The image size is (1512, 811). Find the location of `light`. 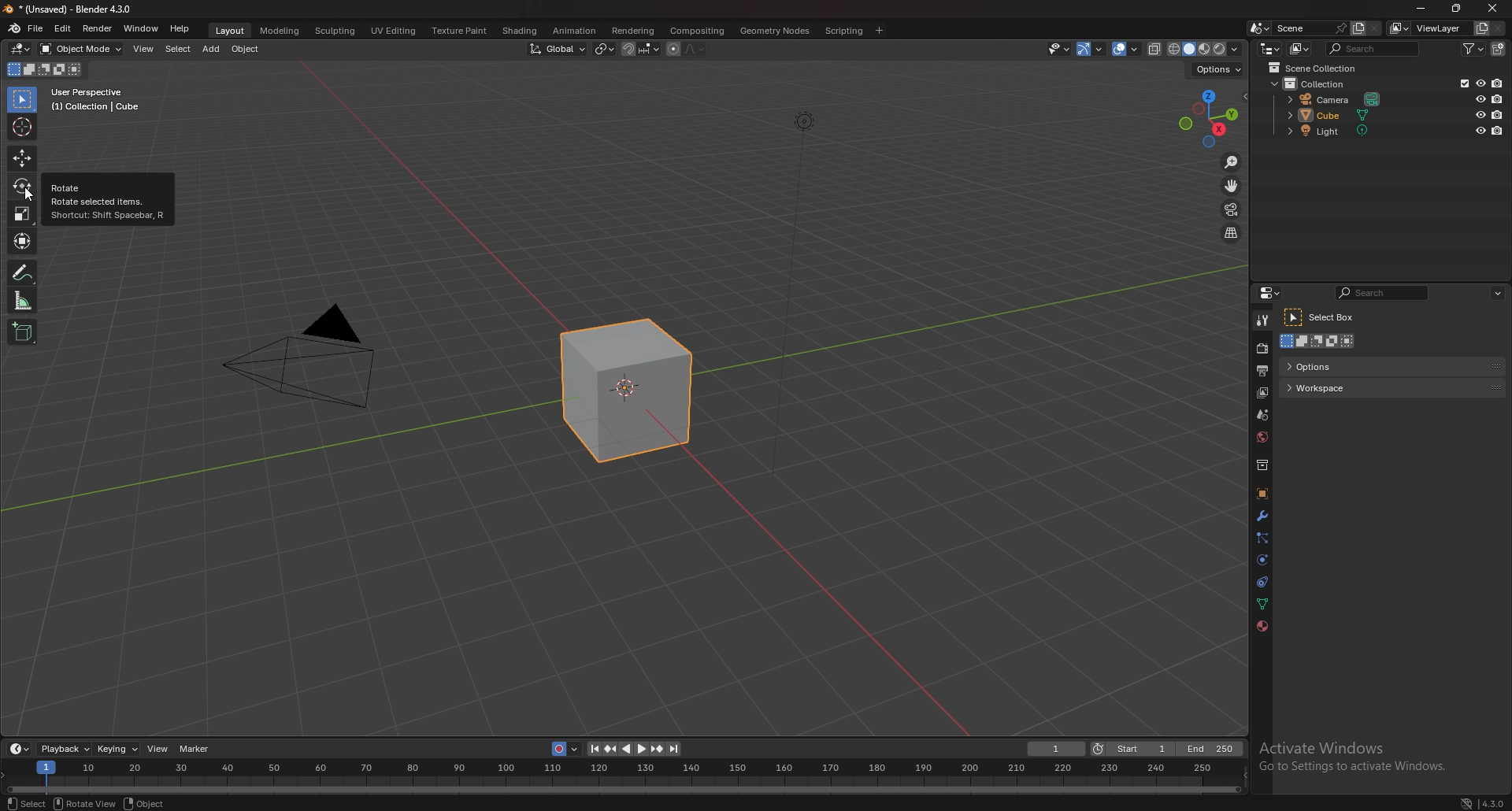

light is located at coordinates (1341, 131).